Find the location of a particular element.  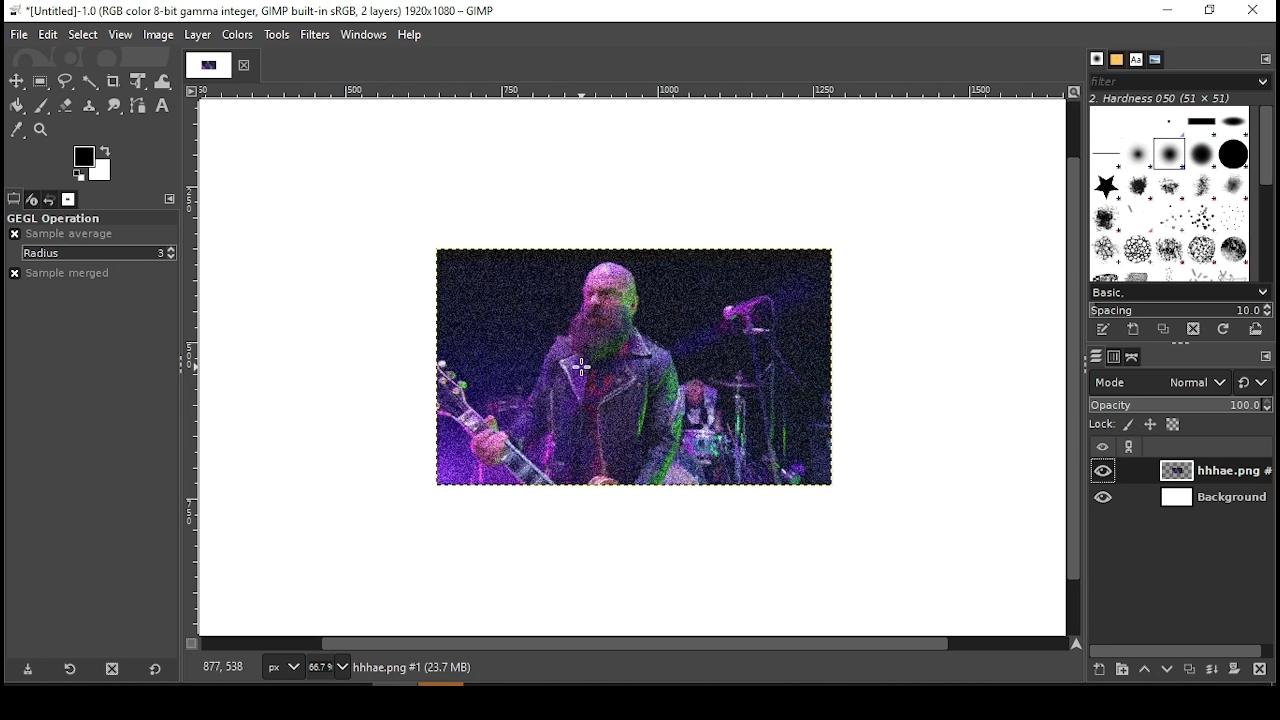

windows is located at coordinates (365, 34).